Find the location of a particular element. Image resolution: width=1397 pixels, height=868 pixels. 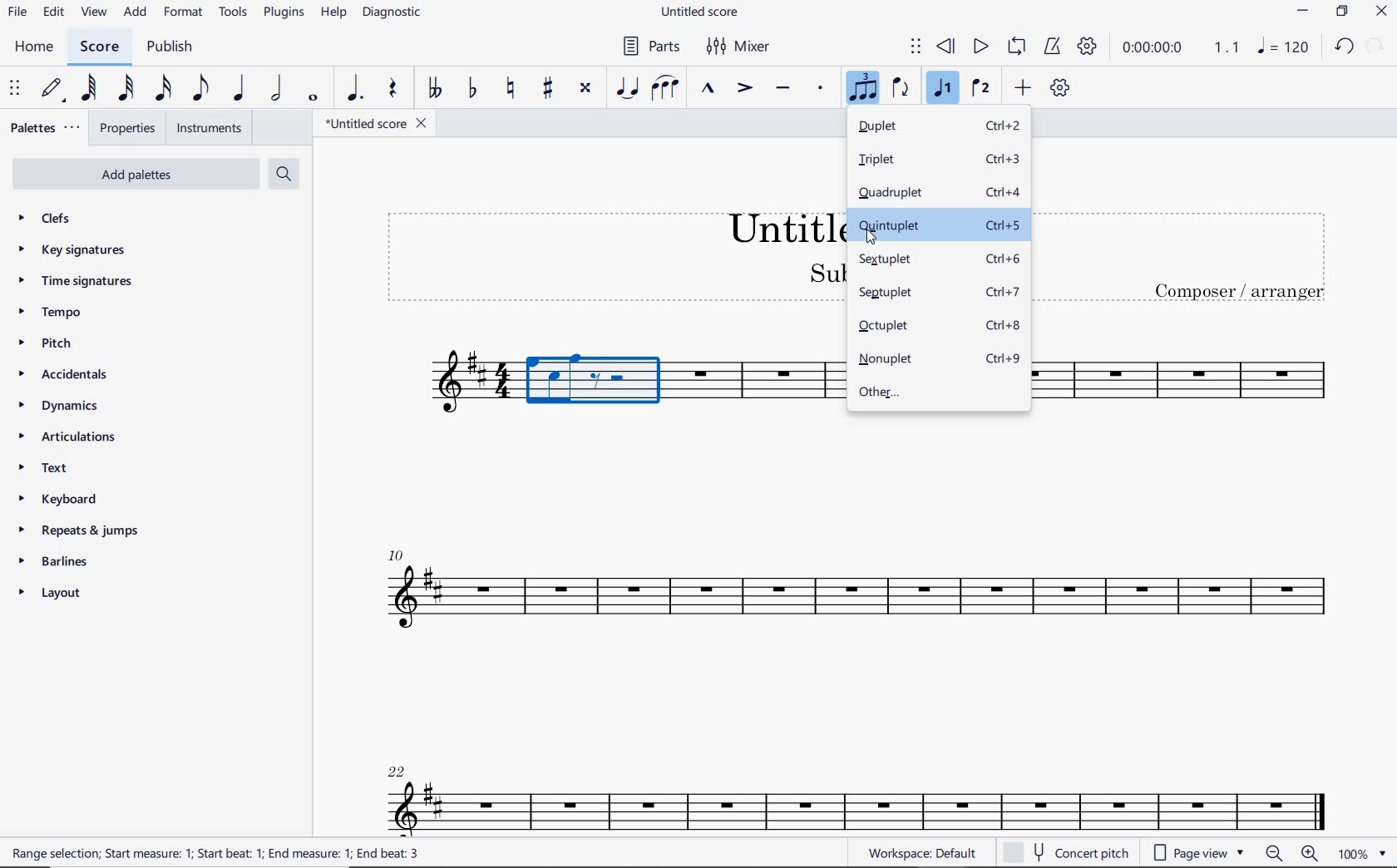

title is located at coordinates (1191, 257).